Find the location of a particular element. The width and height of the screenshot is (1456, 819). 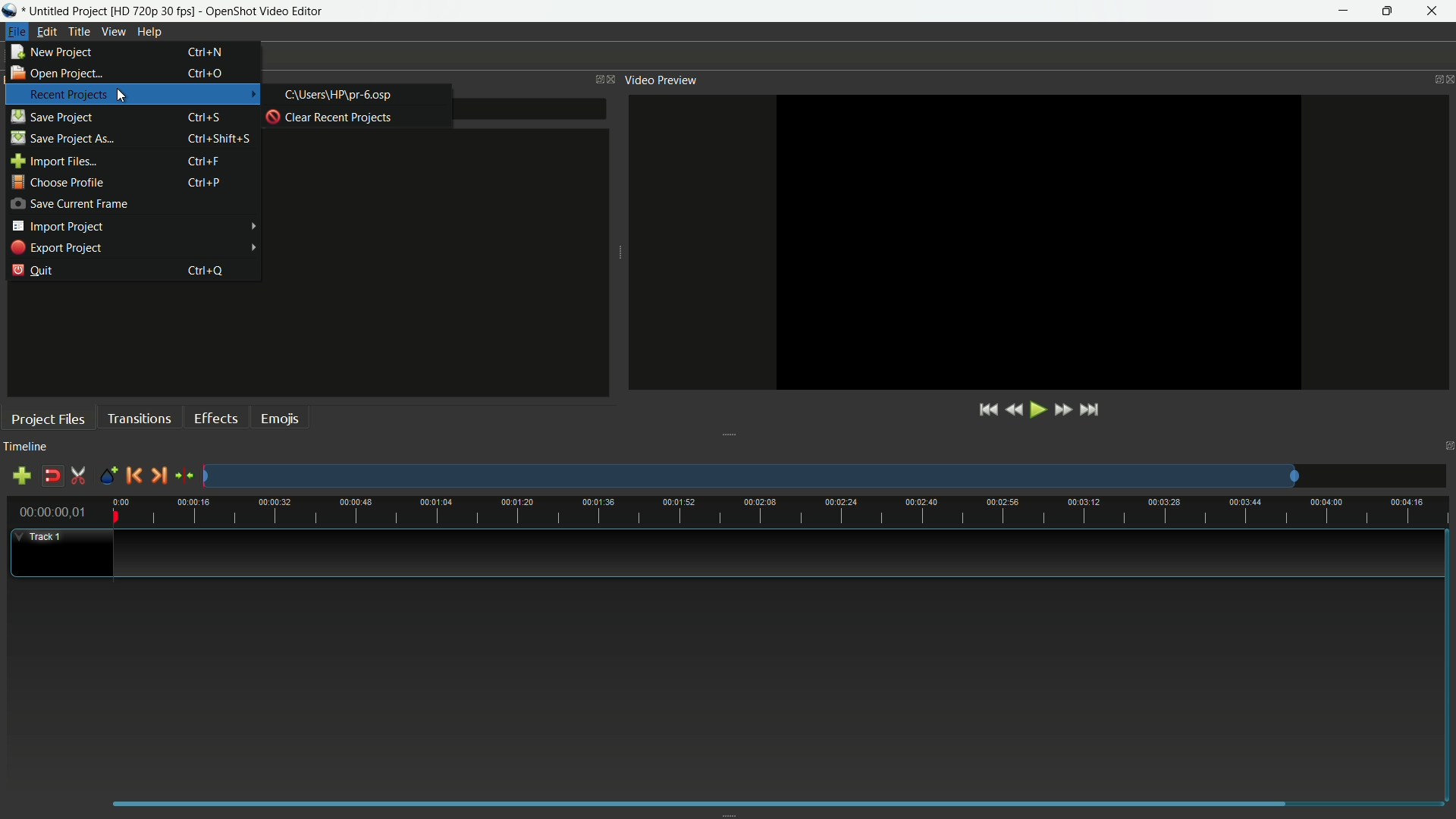

Edit is located at coordinates (47, 32).